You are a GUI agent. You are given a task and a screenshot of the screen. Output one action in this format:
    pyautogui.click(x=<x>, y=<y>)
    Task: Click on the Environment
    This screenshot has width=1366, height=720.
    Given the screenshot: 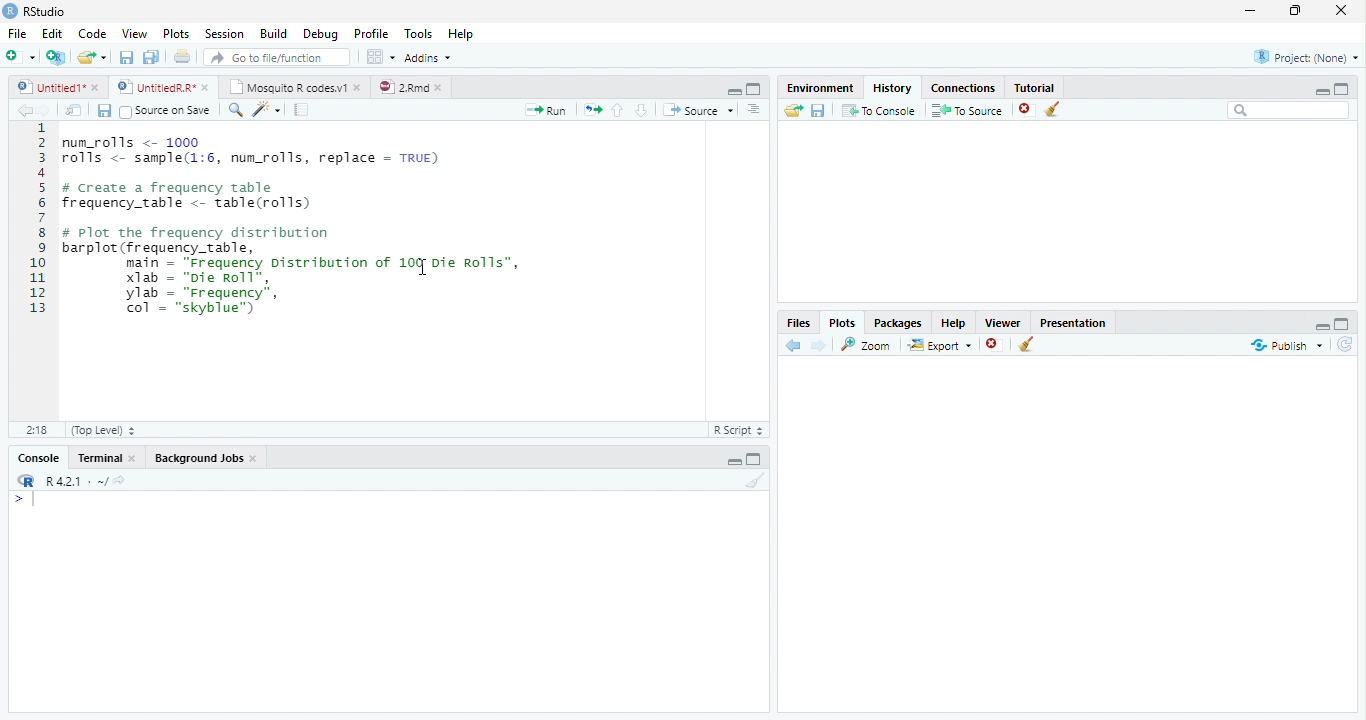 What is the action you would take?
    pyautogui.click(x=821, y=87)
    